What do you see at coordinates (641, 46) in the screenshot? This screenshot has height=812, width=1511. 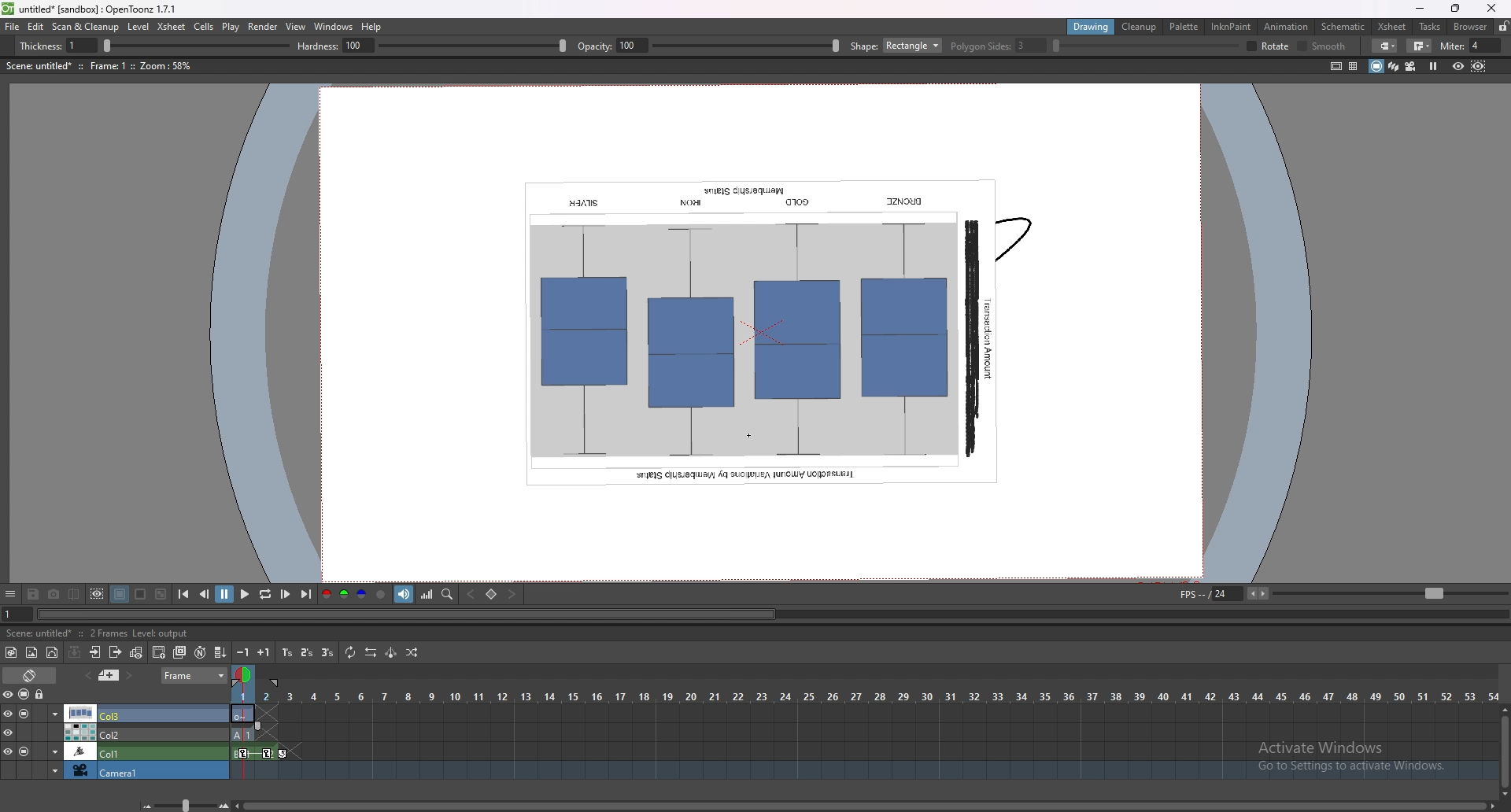 I see `shape` at bounding box center [641, 46].